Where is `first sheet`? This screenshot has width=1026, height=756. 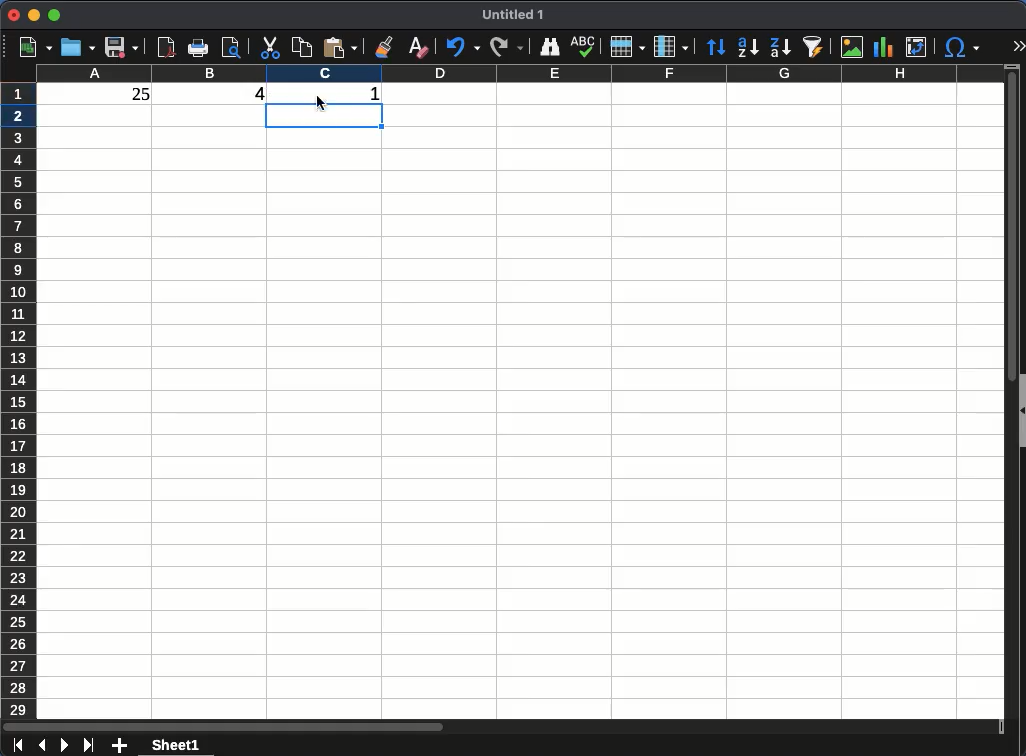
first sheet is located at coordinates (19, 745).